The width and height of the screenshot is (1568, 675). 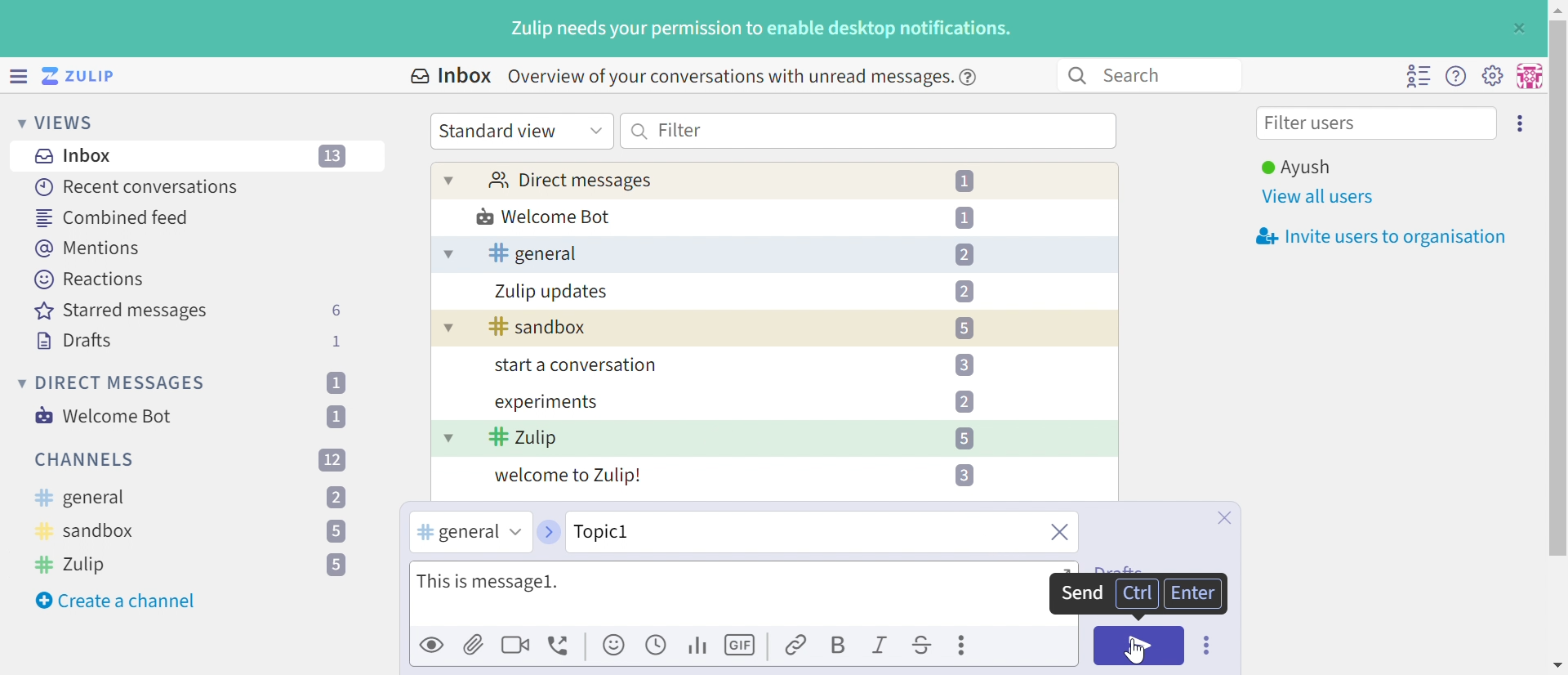 I want to click on Invite users to organisation, so click(x=1376, y=238).